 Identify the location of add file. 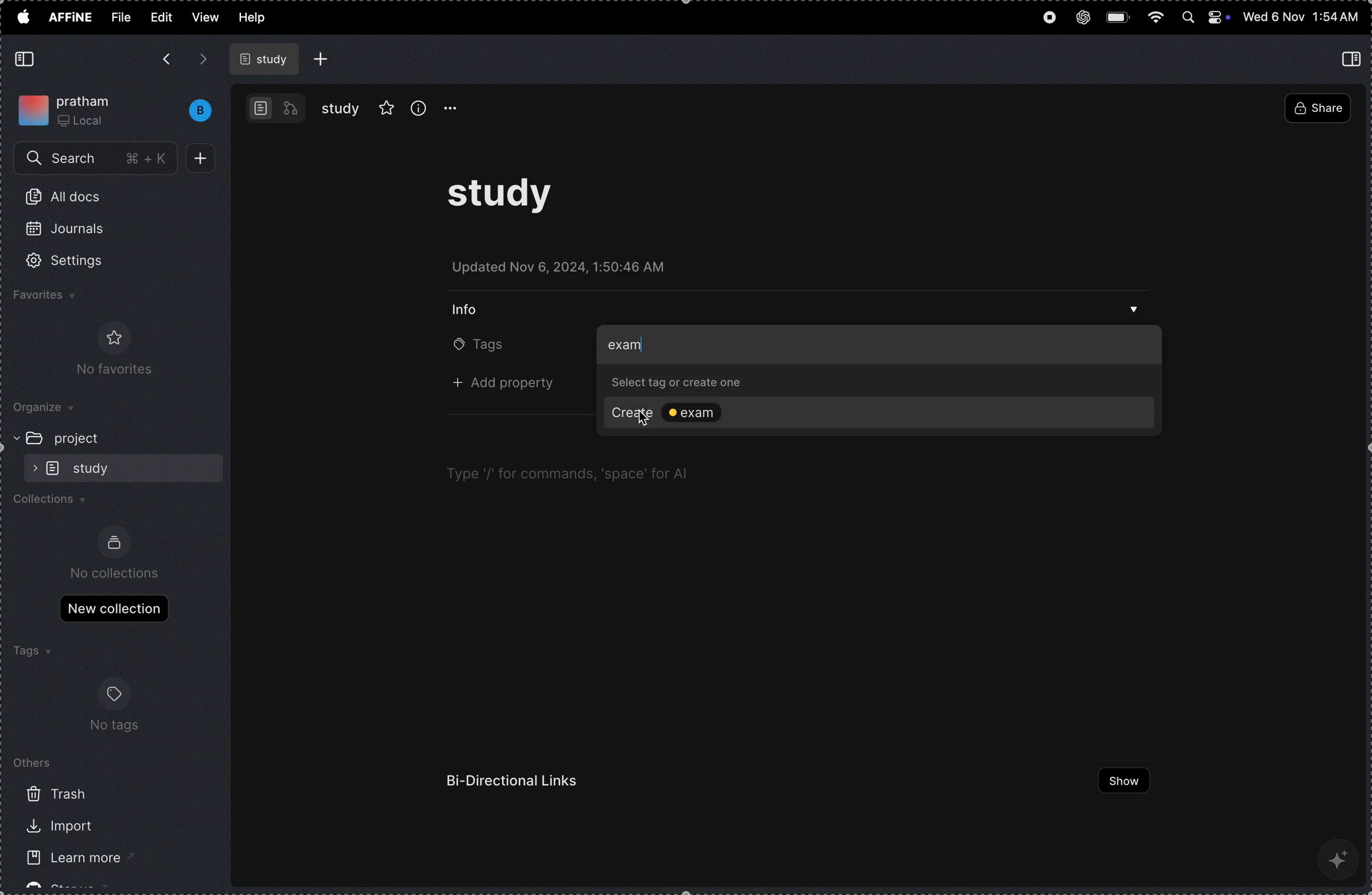
(322, 59).